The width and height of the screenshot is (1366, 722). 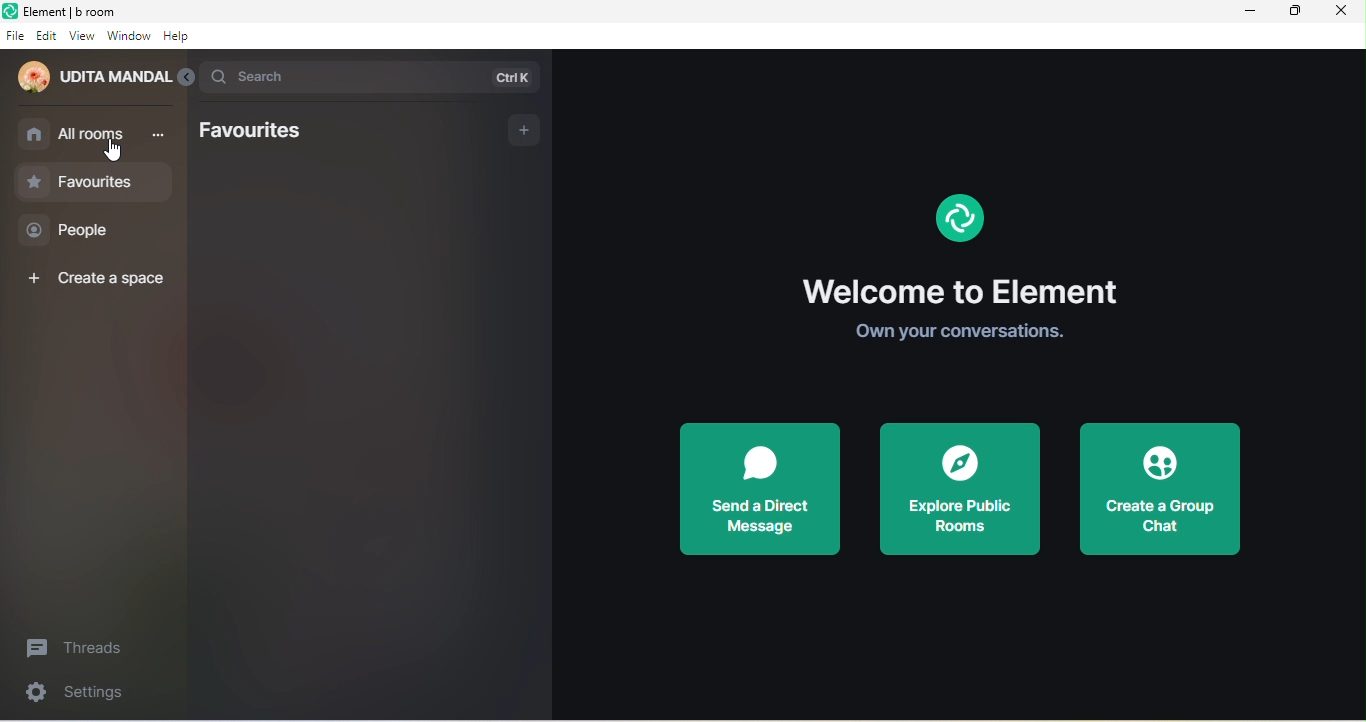 What do you see at coordinates (78, 231) in the screenshot?
I see `people` at bounding box center [78, 231].